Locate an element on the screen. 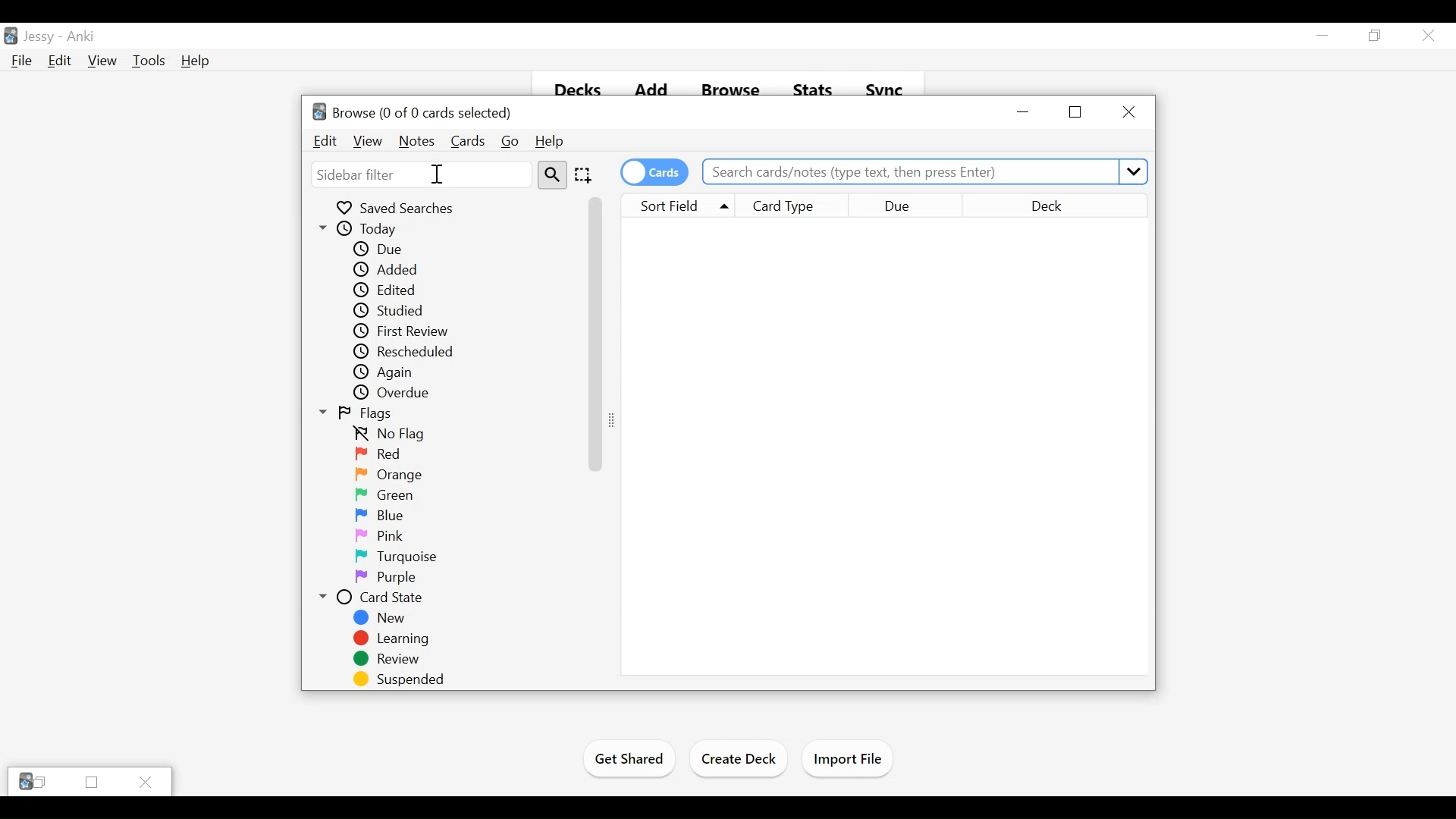 The image size is (1456, 819). Anki Desktop Icon is located at coordinates (11, 36).